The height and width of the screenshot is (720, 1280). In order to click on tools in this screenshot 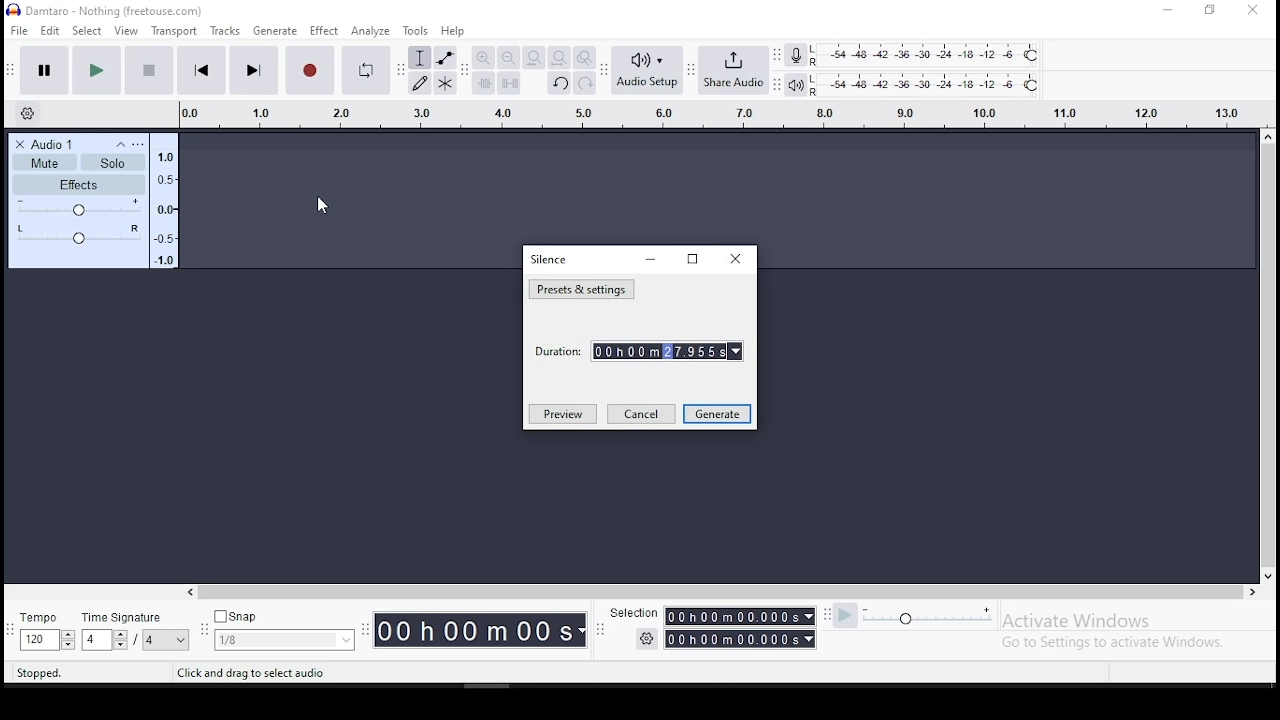, I will do `click(417, 30)`.